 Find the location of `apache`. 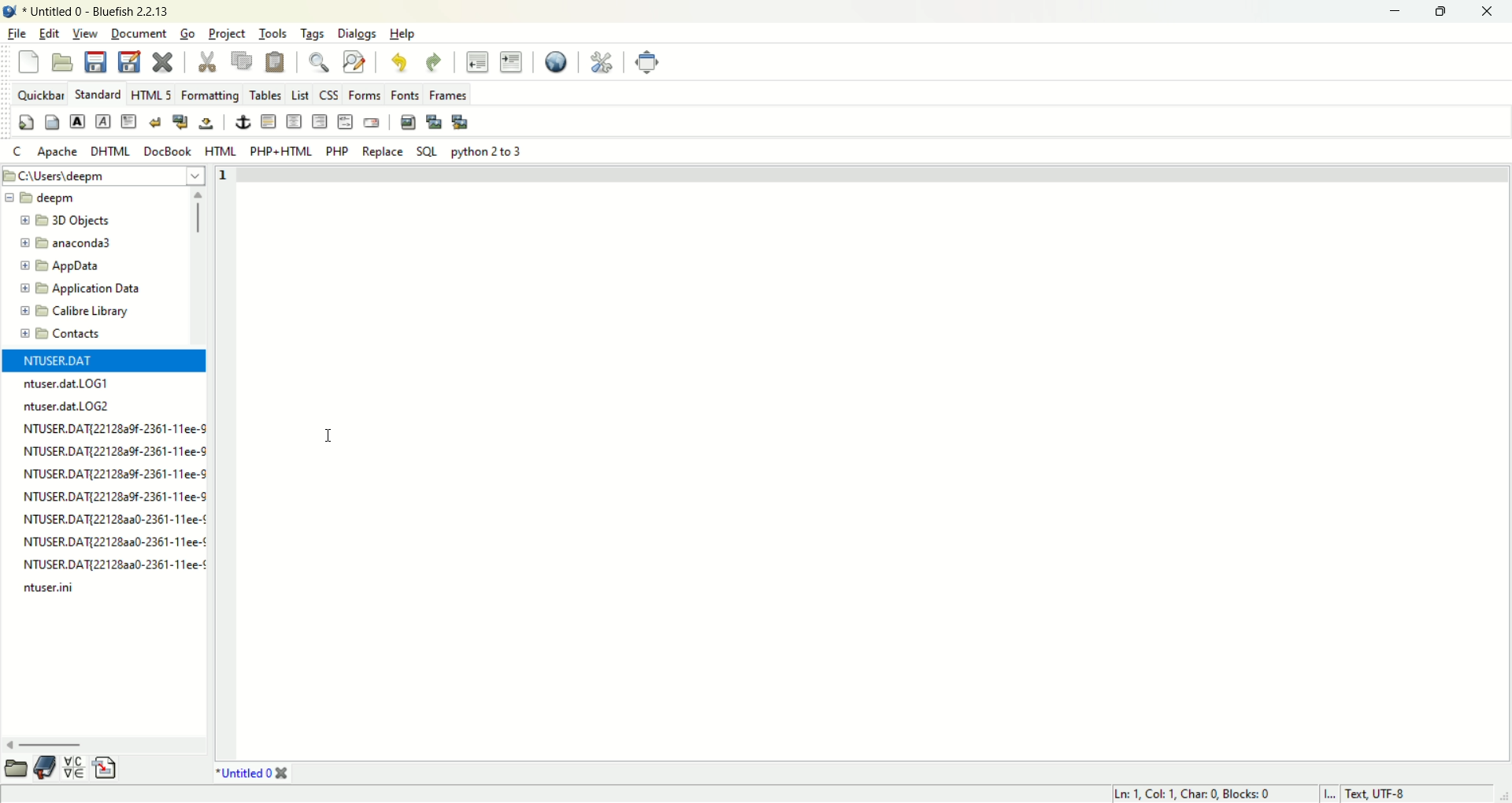

apache is located at coordinates (59, 152).